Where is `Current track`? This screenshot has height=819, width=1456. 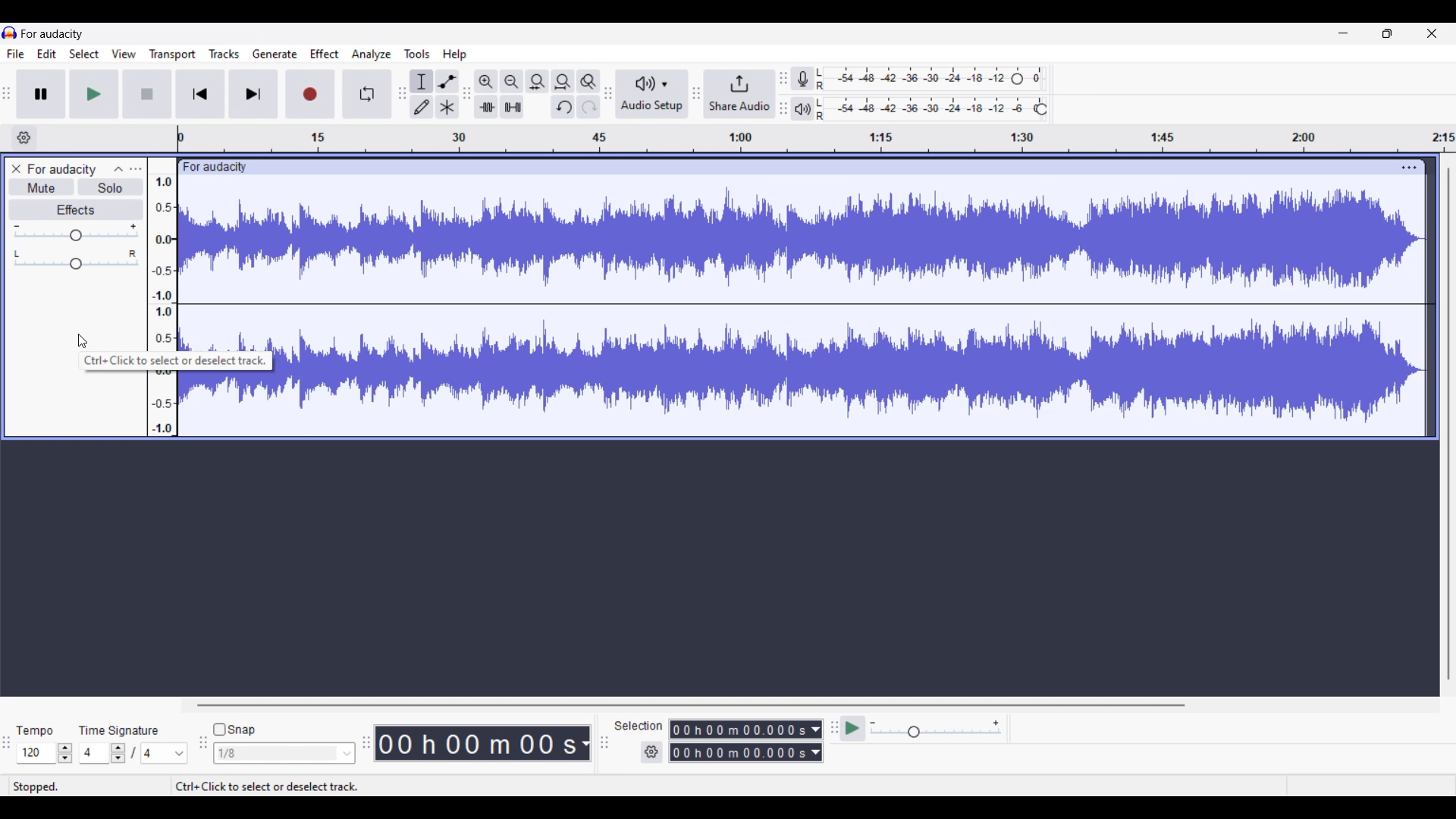
Current track is located at coordinates (836, 298).